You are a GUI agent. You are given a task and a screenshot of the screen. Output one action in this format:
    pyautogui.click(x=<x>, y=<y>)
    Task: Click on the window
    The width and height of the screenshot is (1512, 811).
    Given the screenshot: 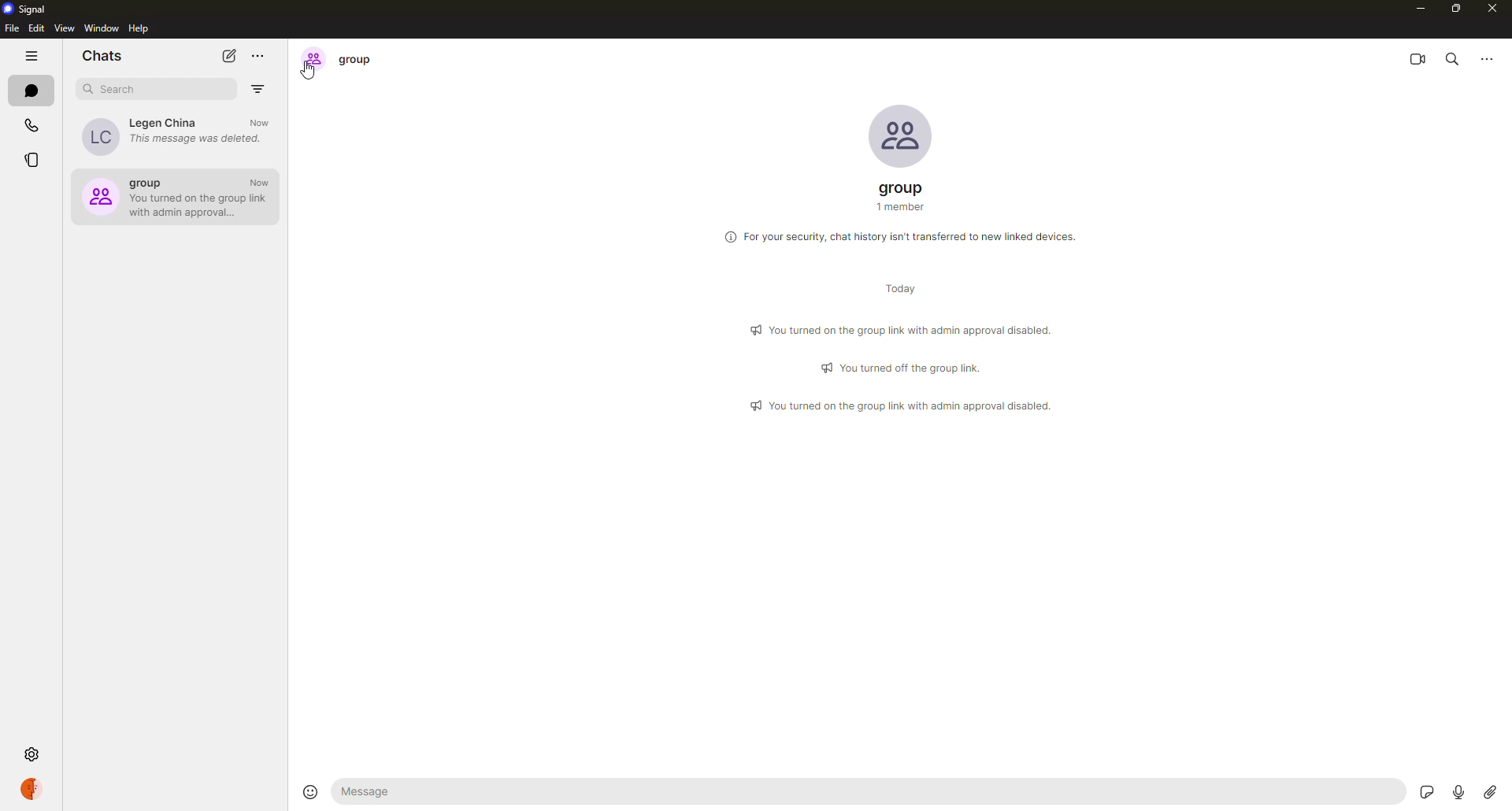 What is the action you would take?
    pyautogui.click(x=102, y=28)
    